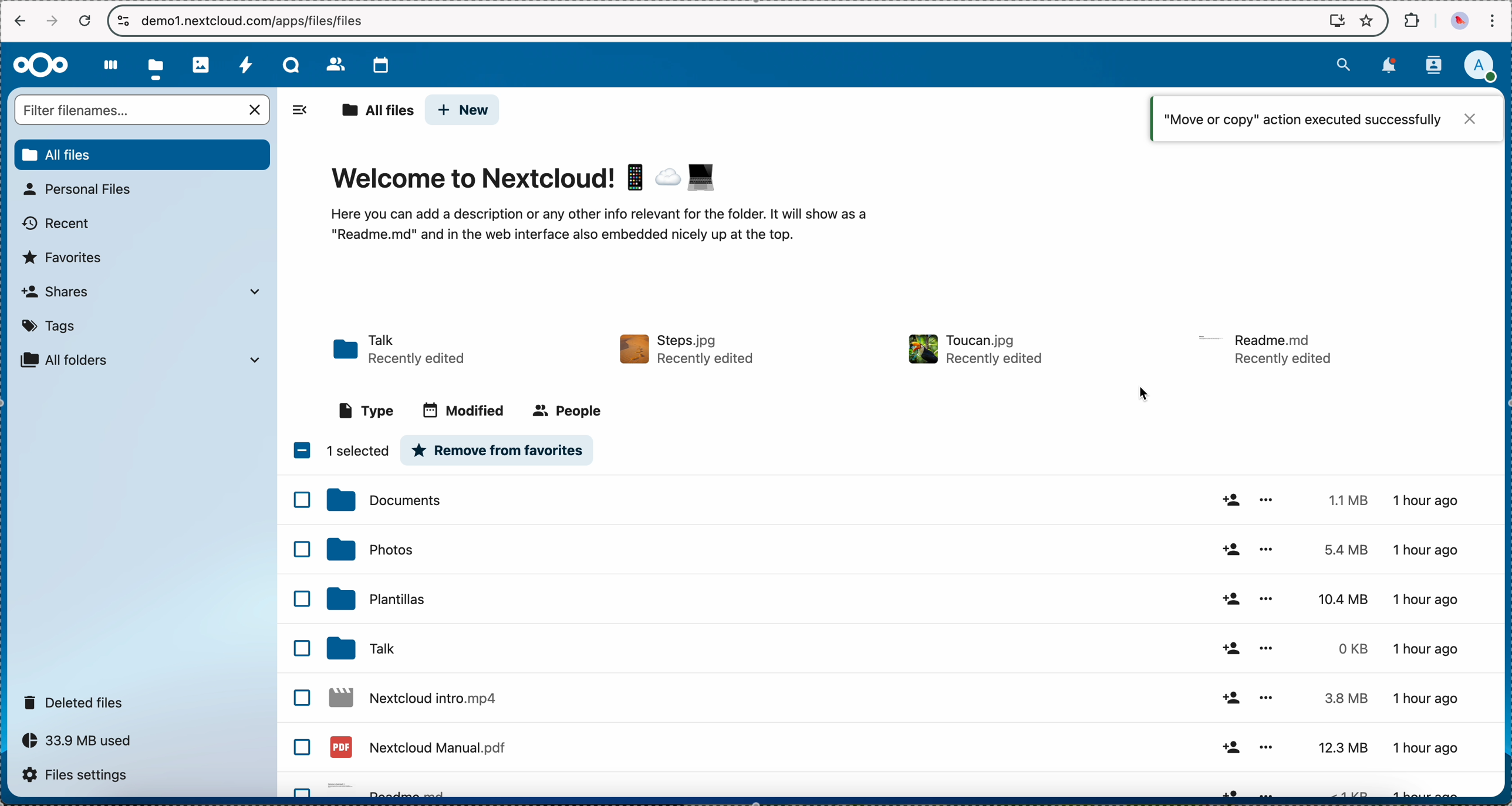  Describe the element at coordinates (109, 63) in the screenshot. I see `dashboard` at that location.